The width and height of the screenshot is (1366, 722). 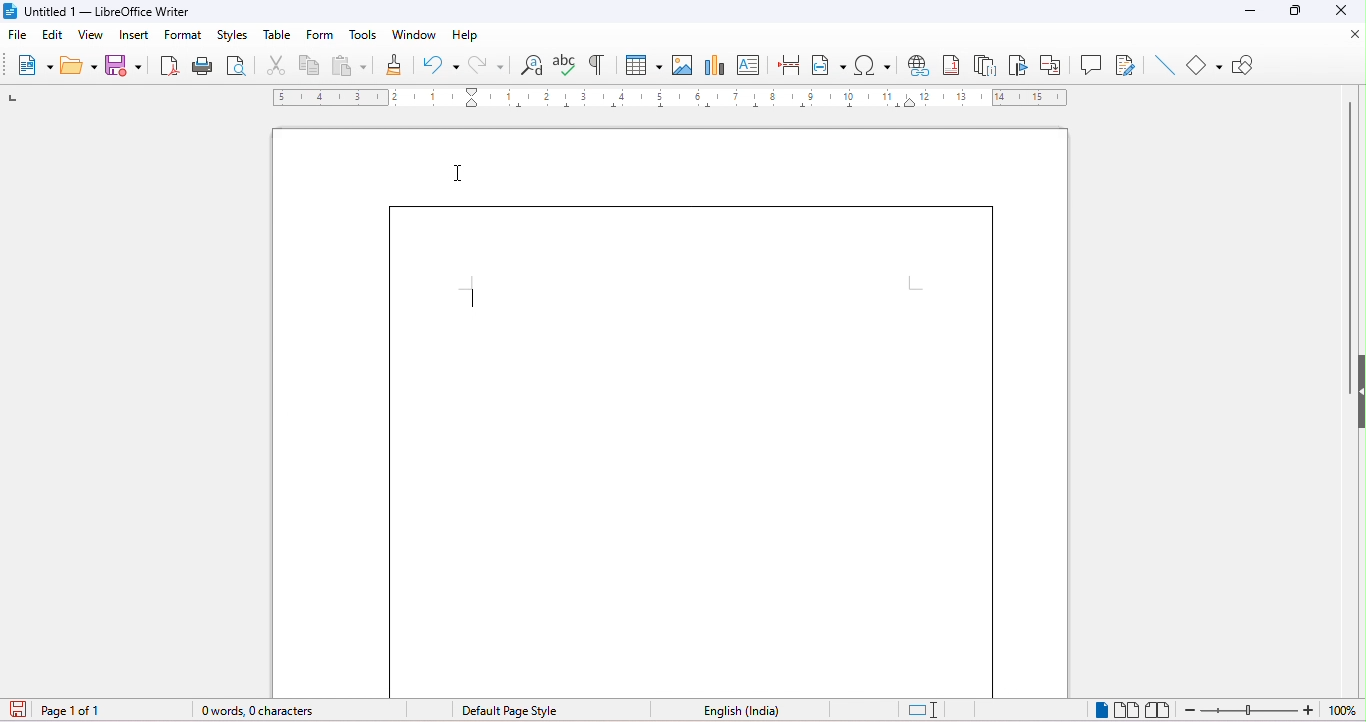 I want to click on standard selection, so click(x=923, y=710).